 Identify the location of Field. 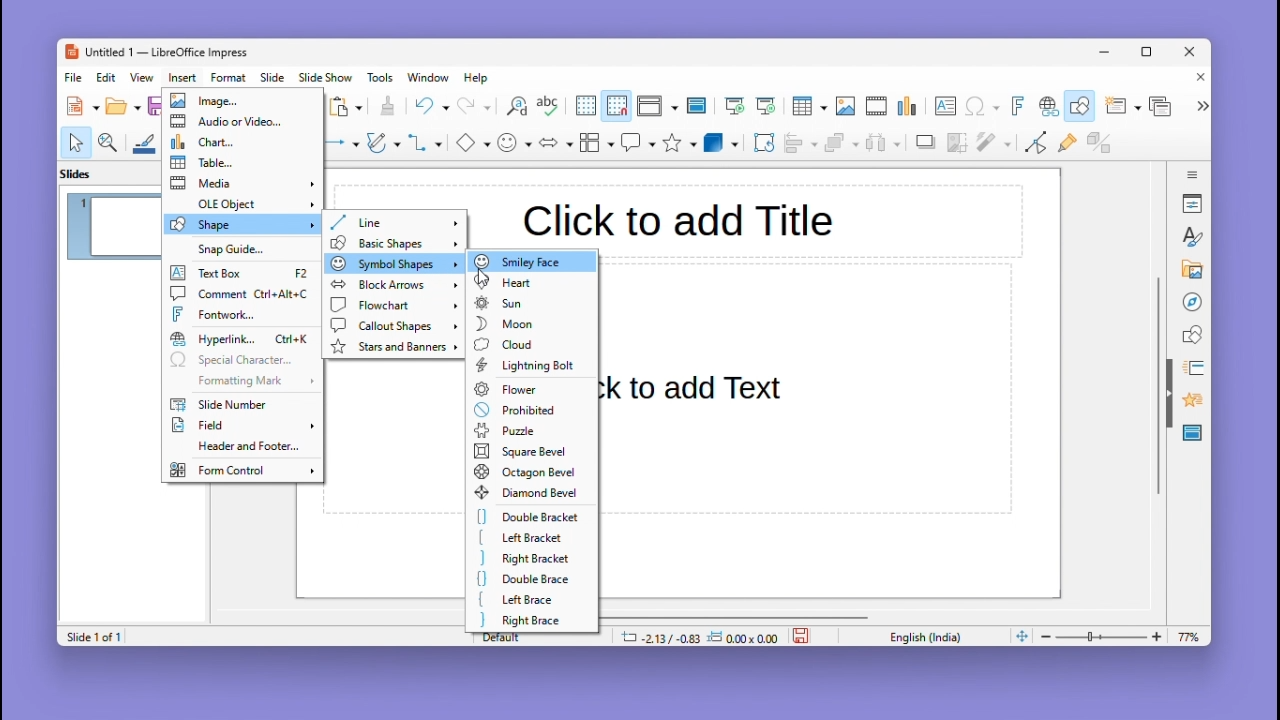
(242, 427).